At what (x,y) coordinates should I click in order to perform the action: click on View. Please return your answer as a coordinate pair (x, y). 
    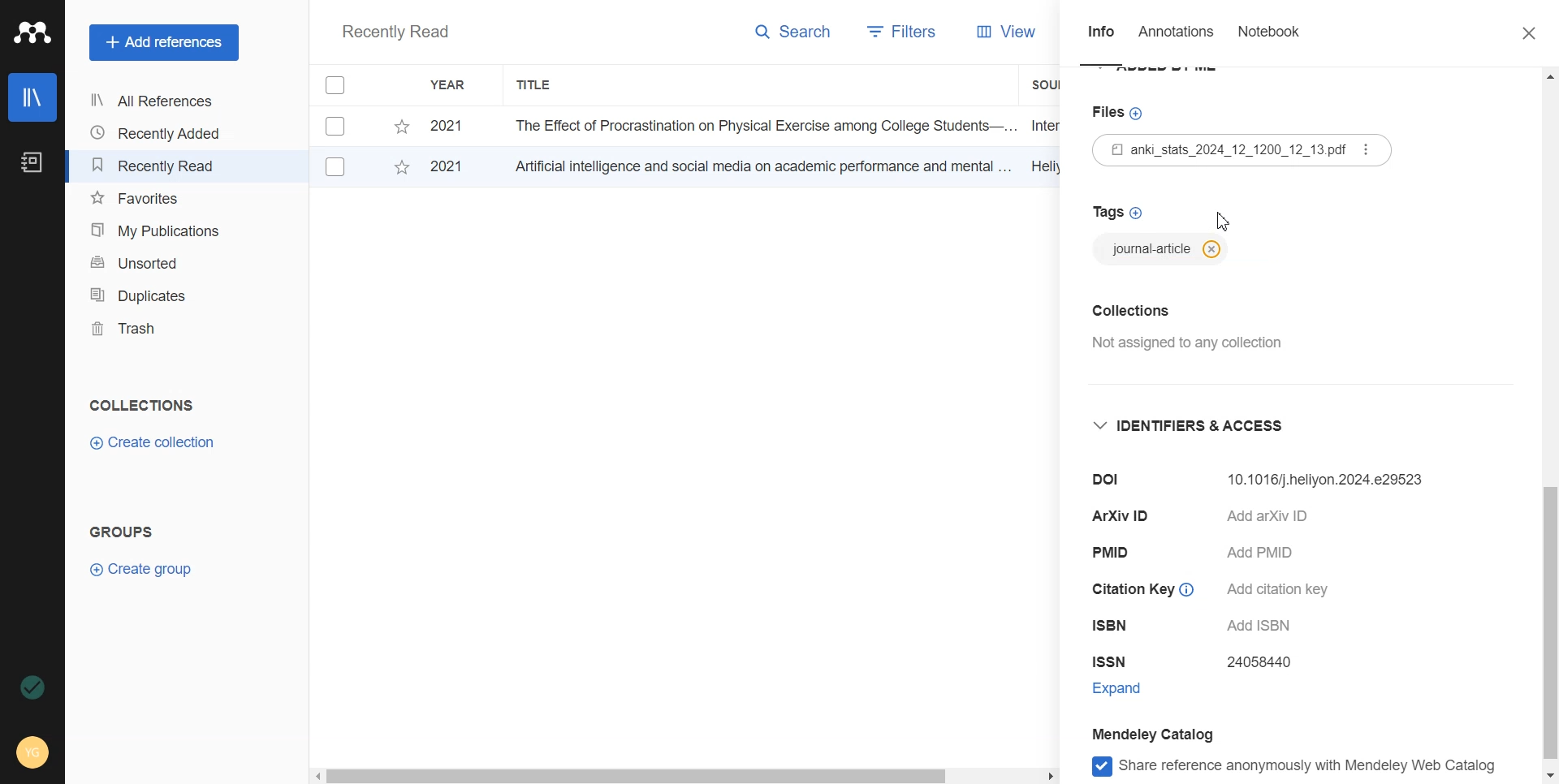
    Looking at the image, I should click on (992, 32).